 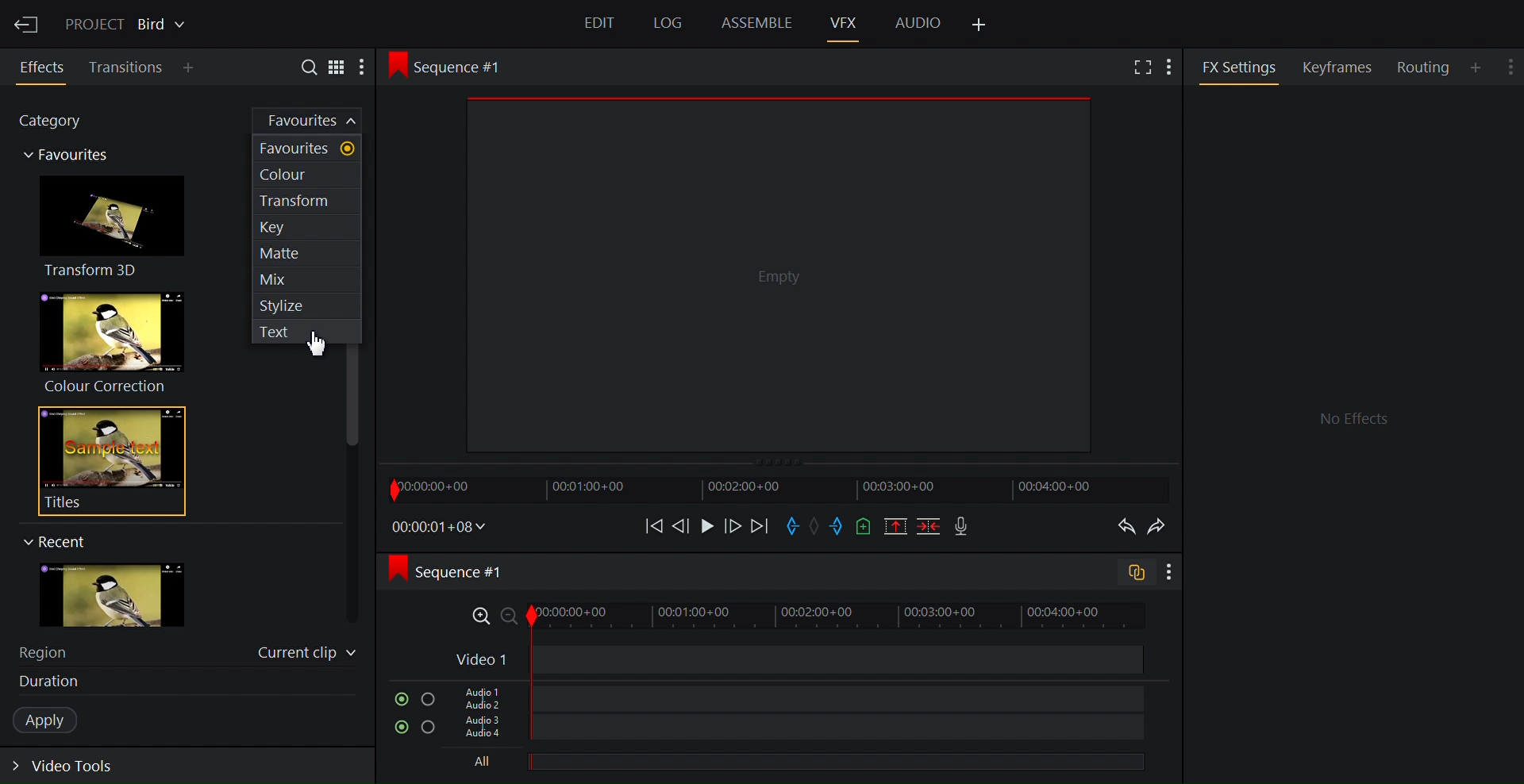 I want to click on Redo, so click(x=1163, y=526).